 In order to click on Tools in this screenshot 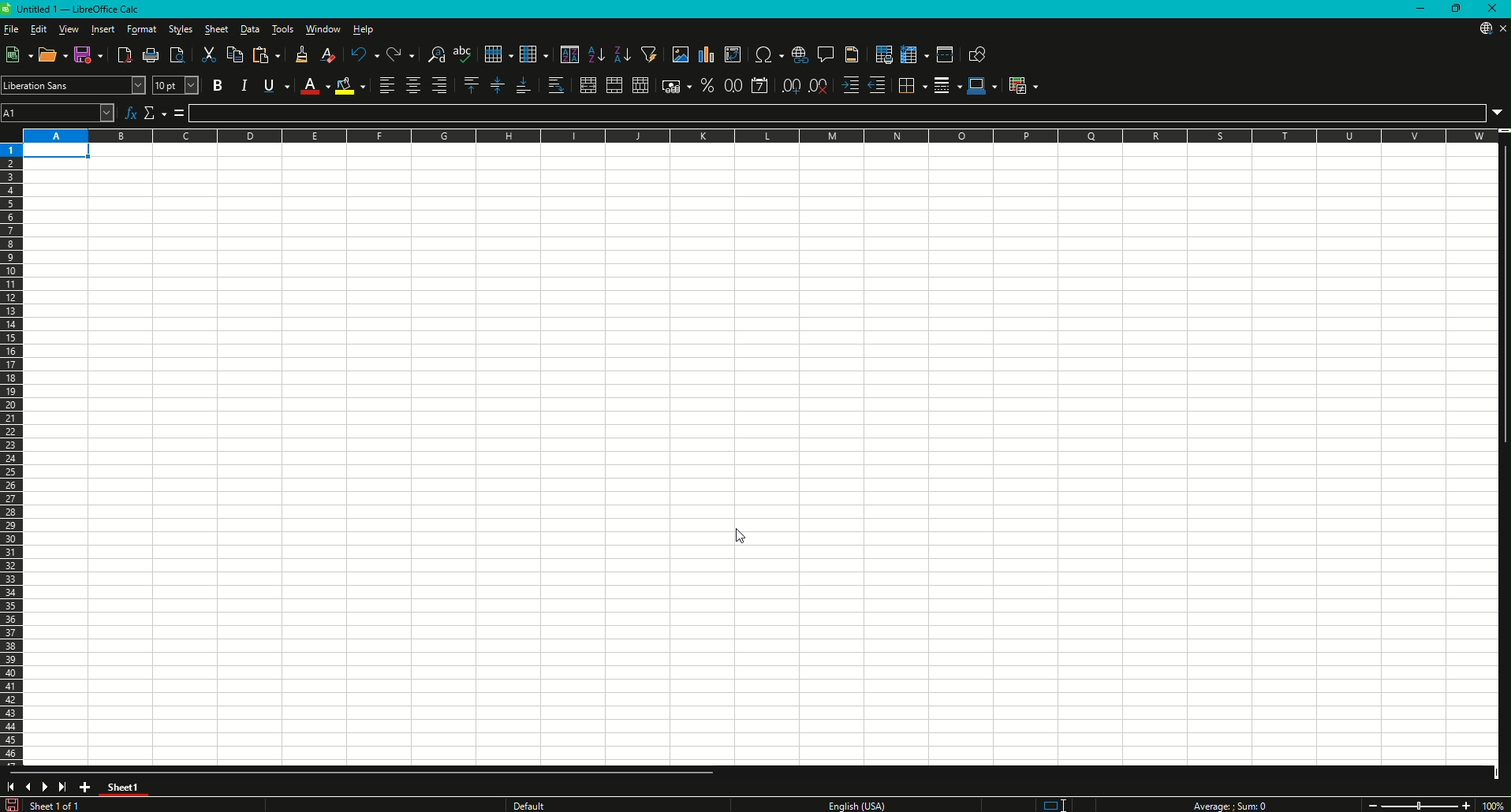, I will do `click(283, 28)`.